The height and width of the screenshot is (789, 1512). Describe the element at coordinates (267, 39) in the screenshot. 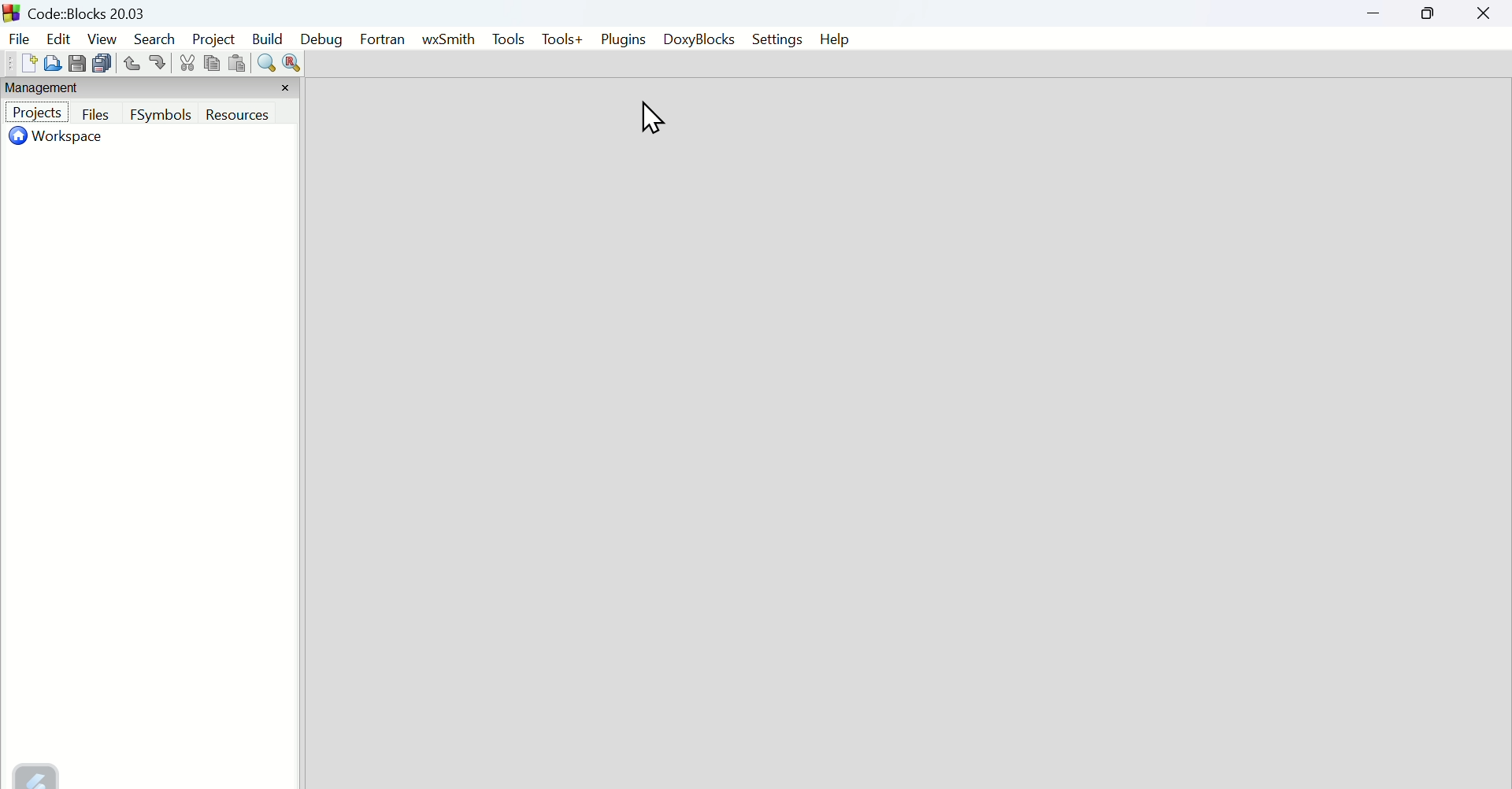

I see `Build` at that location.